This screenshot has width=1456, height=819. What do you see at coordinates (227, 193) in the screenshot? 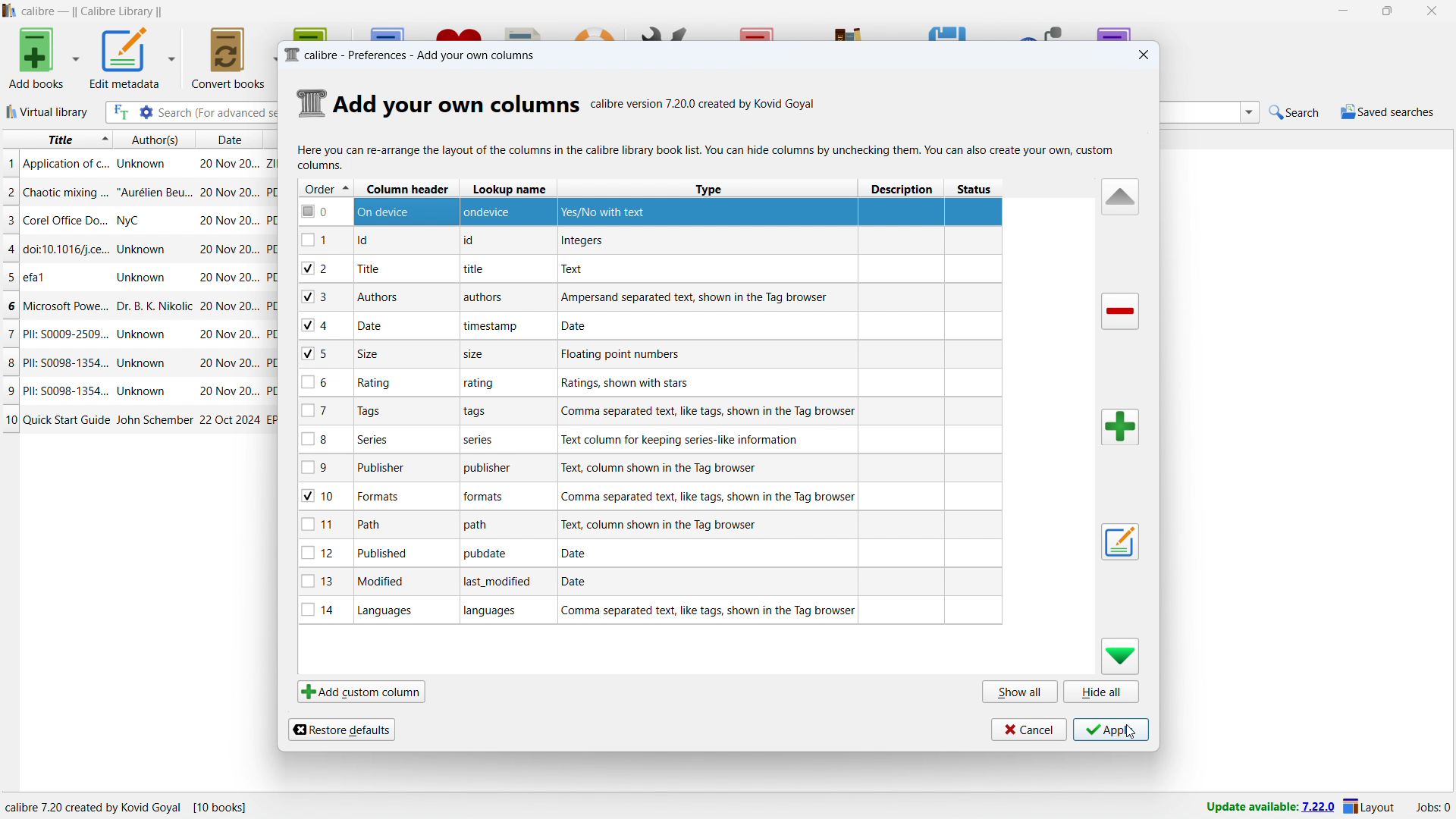
I see `date` at bounding box center [227, 193].